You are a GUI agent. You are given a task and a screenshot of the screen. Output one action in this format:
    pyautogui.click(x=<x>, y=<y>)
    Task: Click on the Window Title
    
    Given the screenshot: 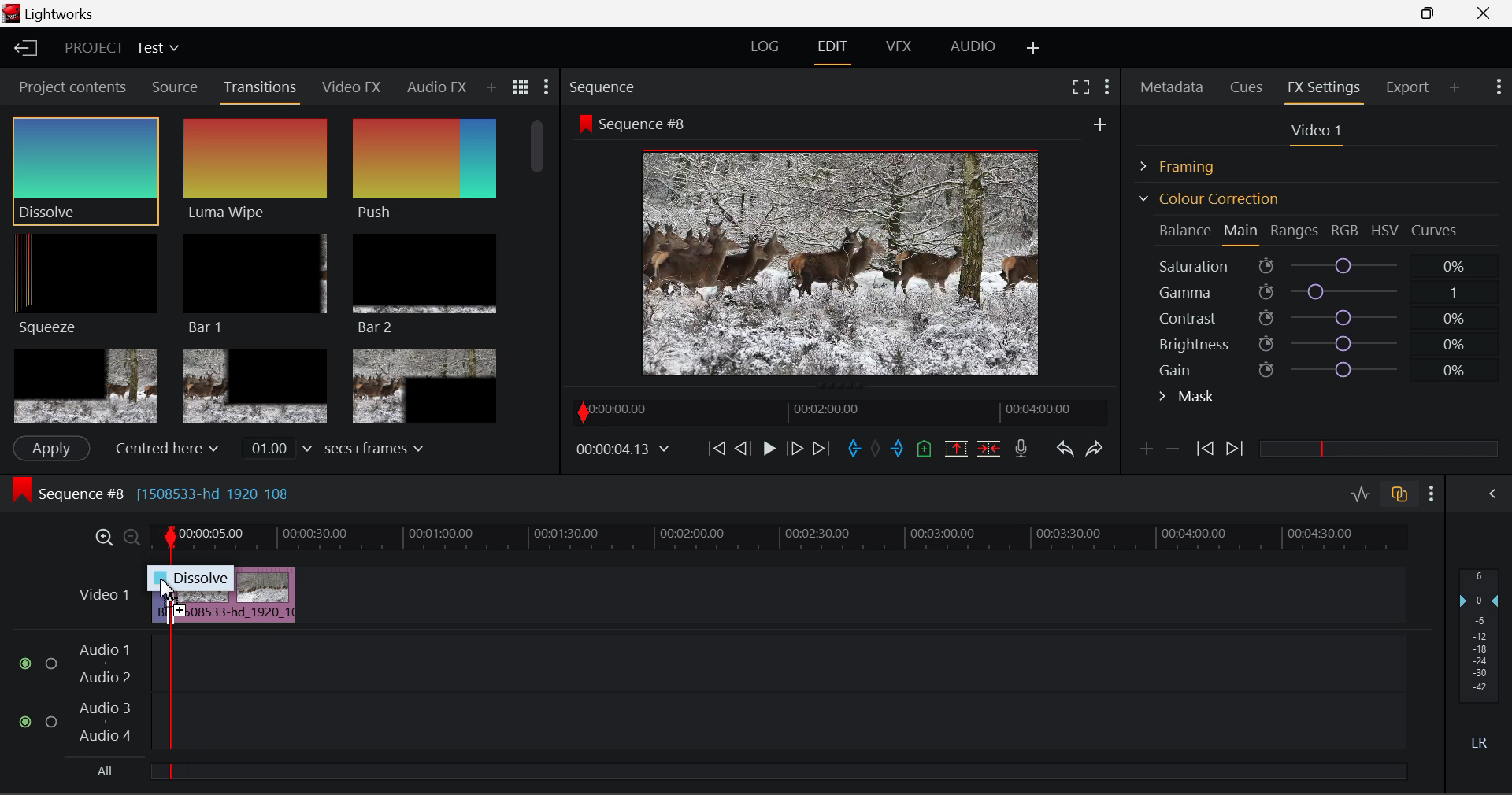 What is the action you would take?
    pyautogui.click(x=53, y=15)
    